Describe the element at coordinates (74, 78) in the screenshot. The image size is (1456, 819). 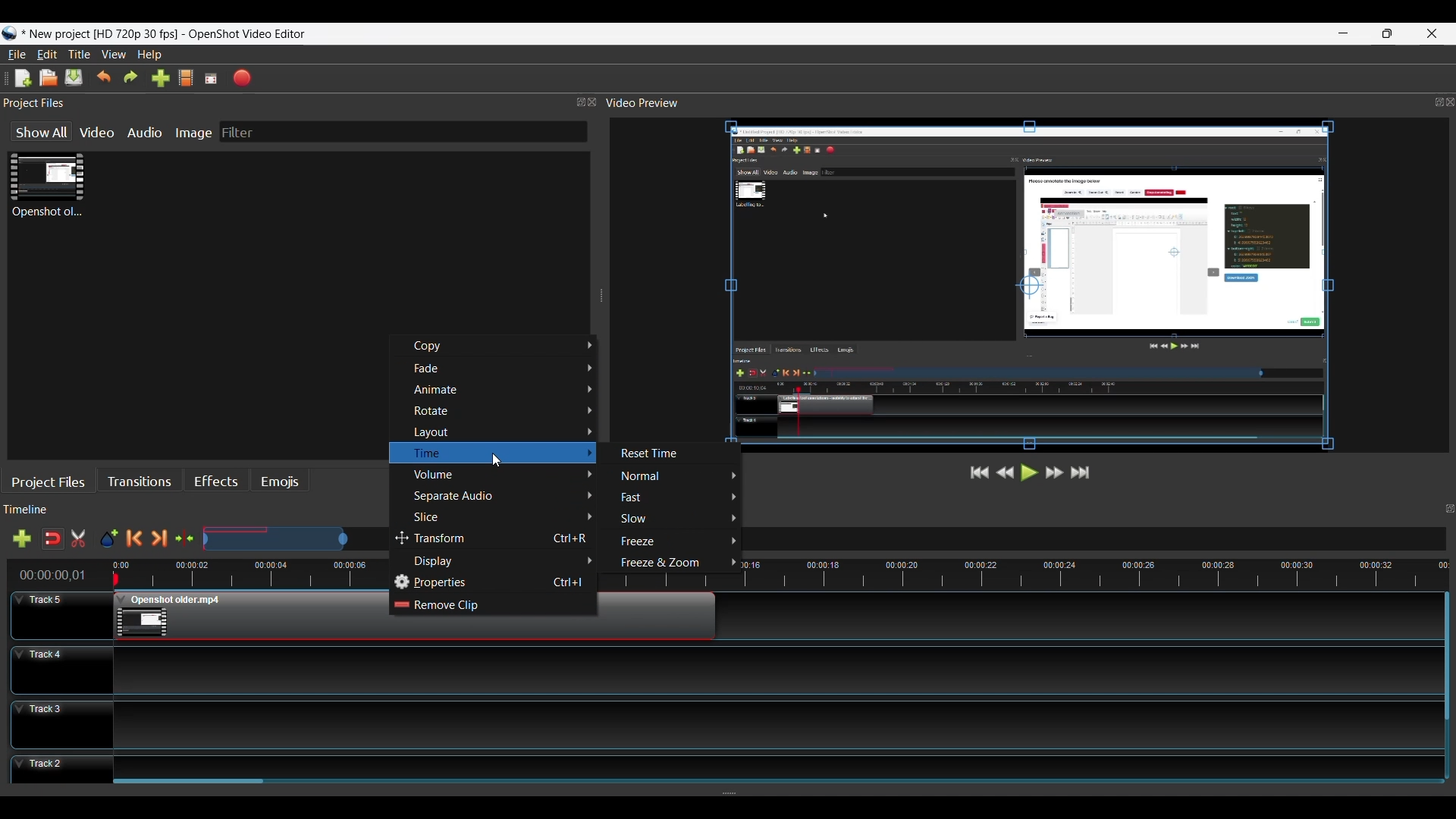
I see `Save File` at that location.